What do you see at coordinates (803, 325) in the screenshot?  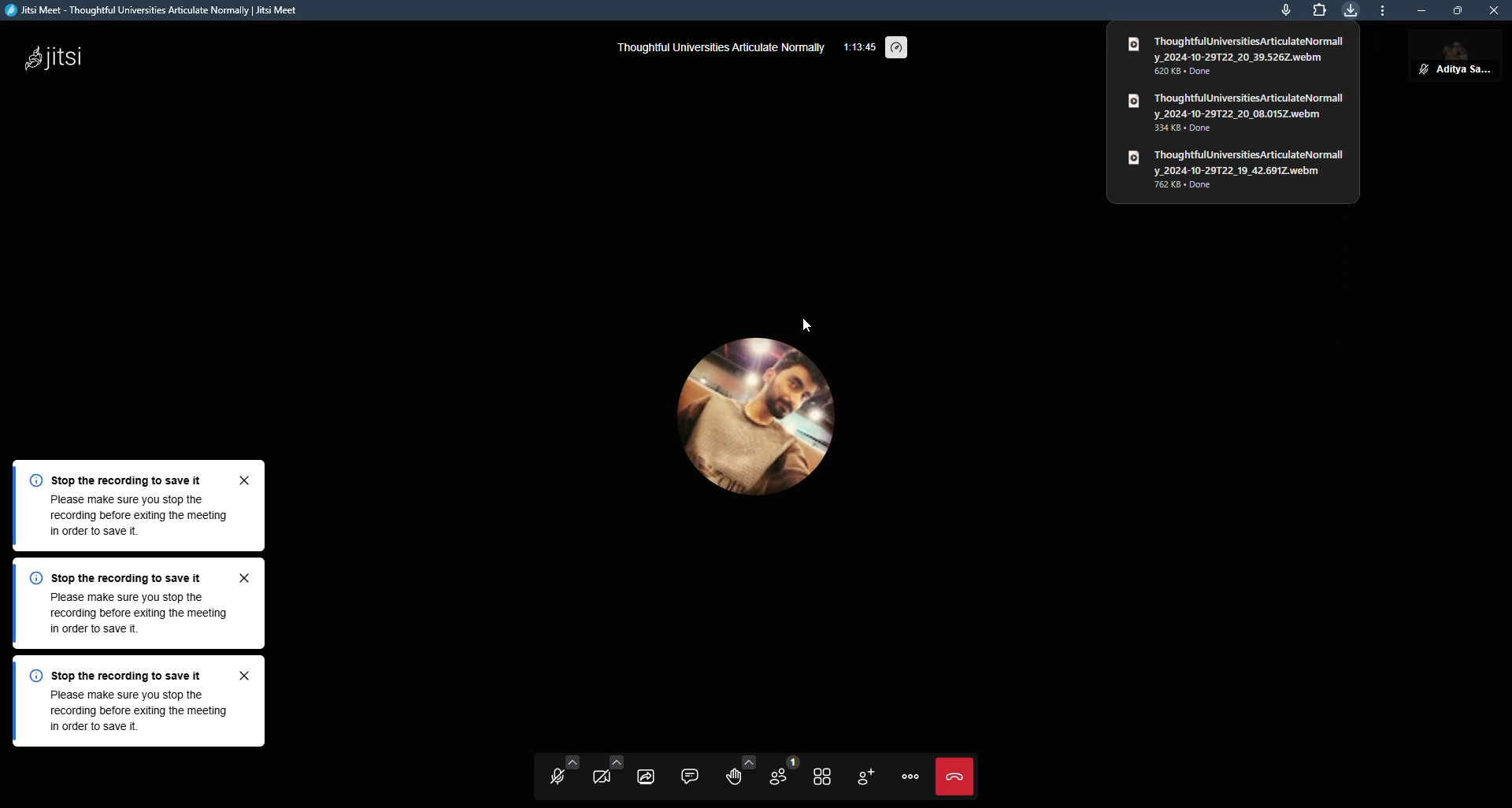 I see `cursor` at bounding box center [803, 325].